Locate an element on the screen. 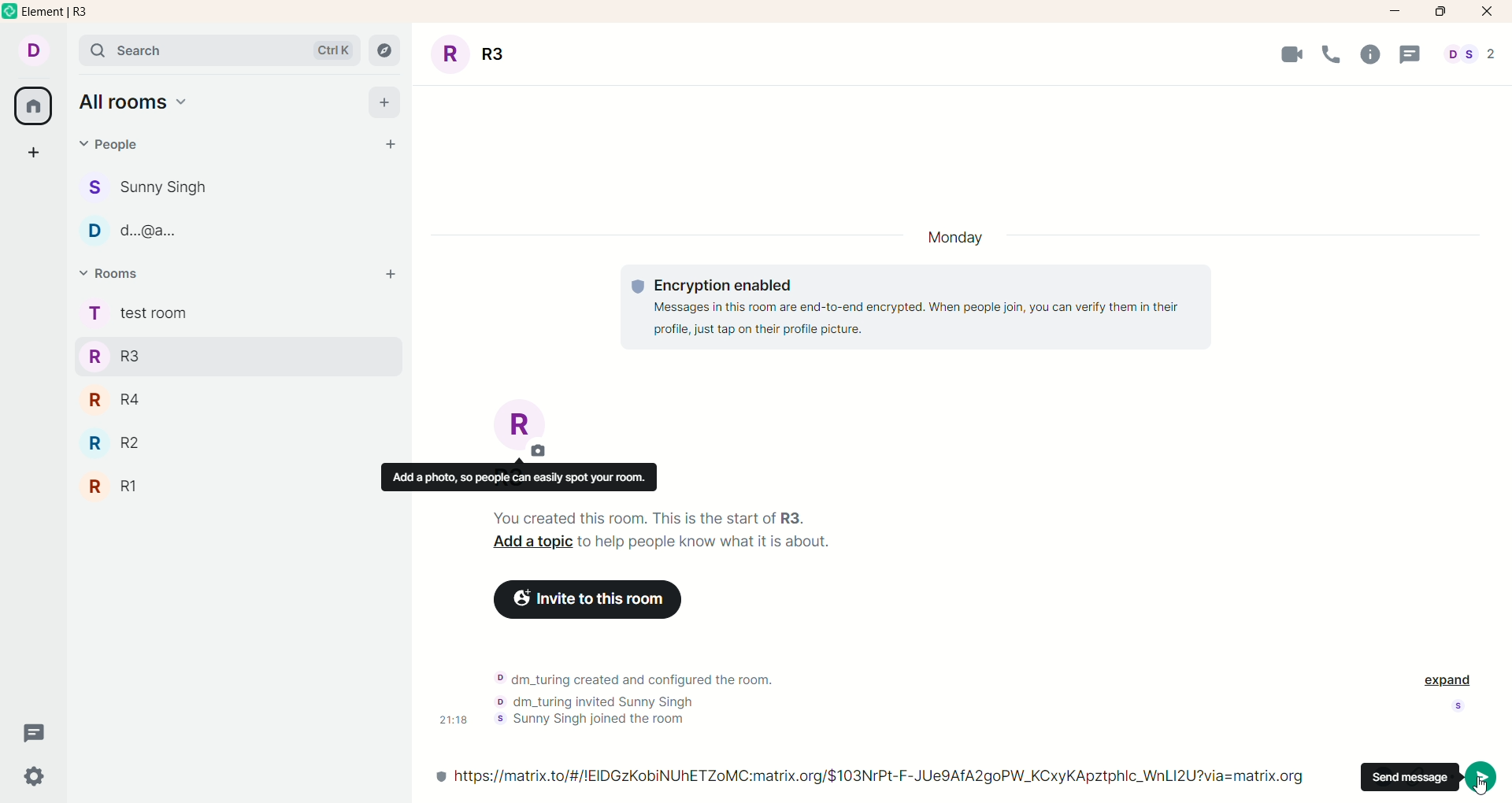  Call is located at coordinates (1333, 52).